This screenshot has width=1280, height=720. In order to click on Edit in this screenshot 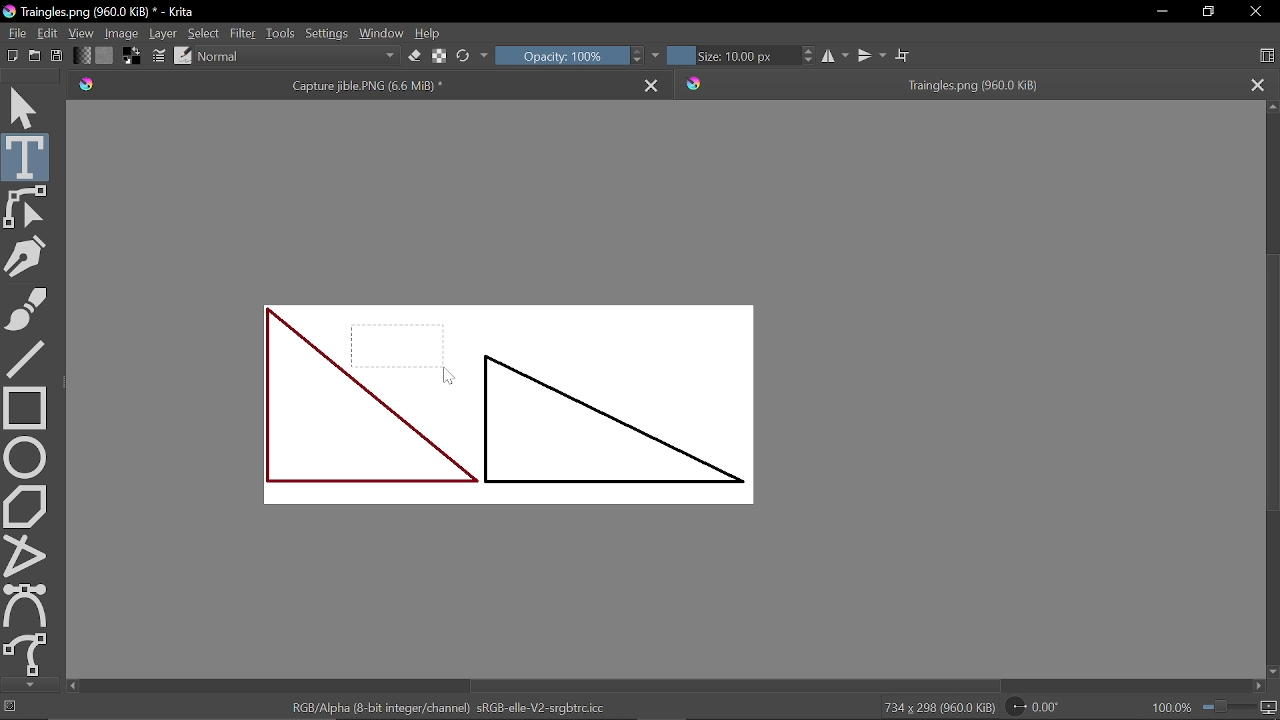, I will do `click(48, 32)`.